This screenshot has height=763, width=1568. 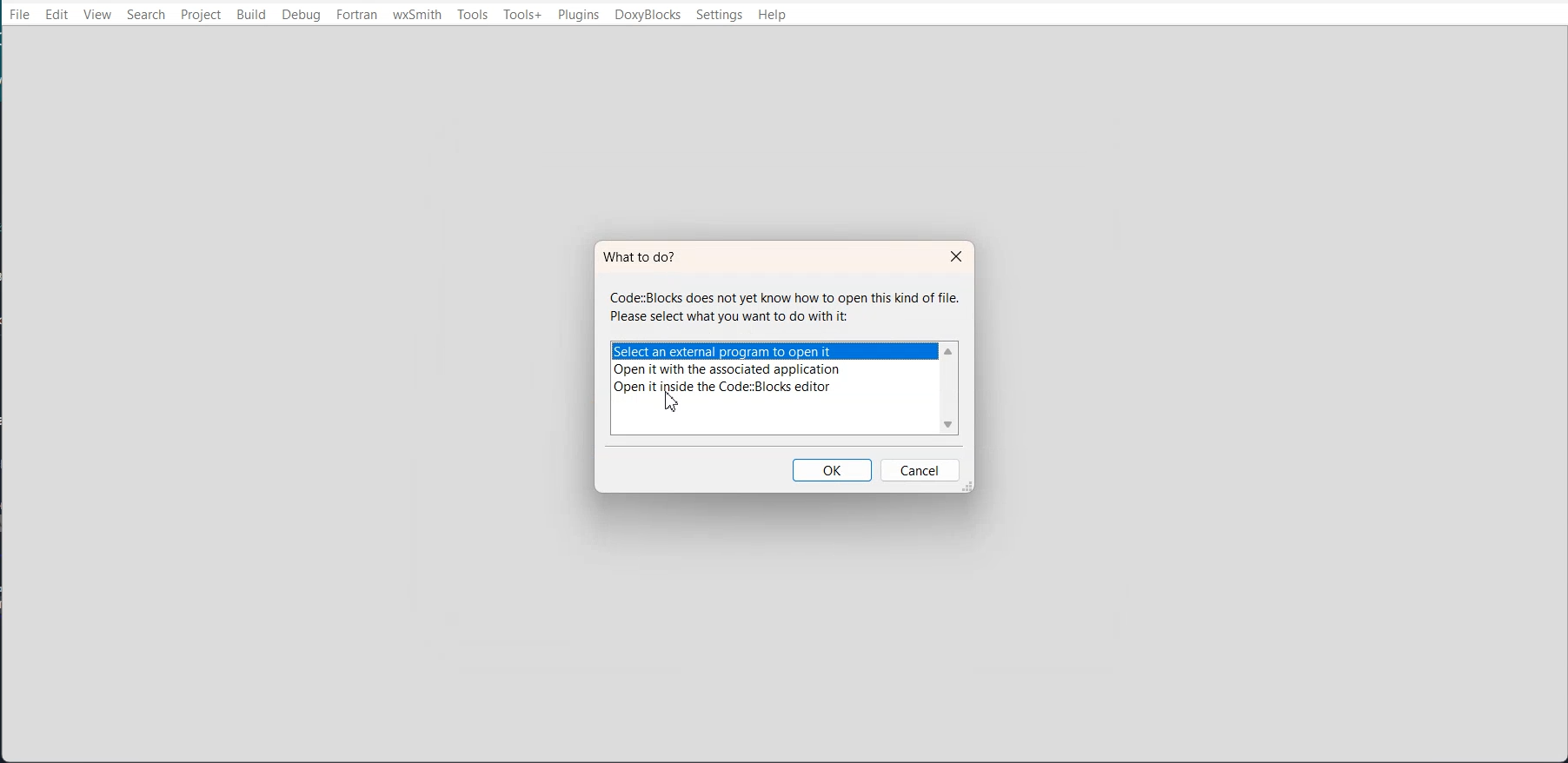 What do you see at coordinates (719, 15) in the screenshot?
I see `Settings` at bounding box center [719, 15].